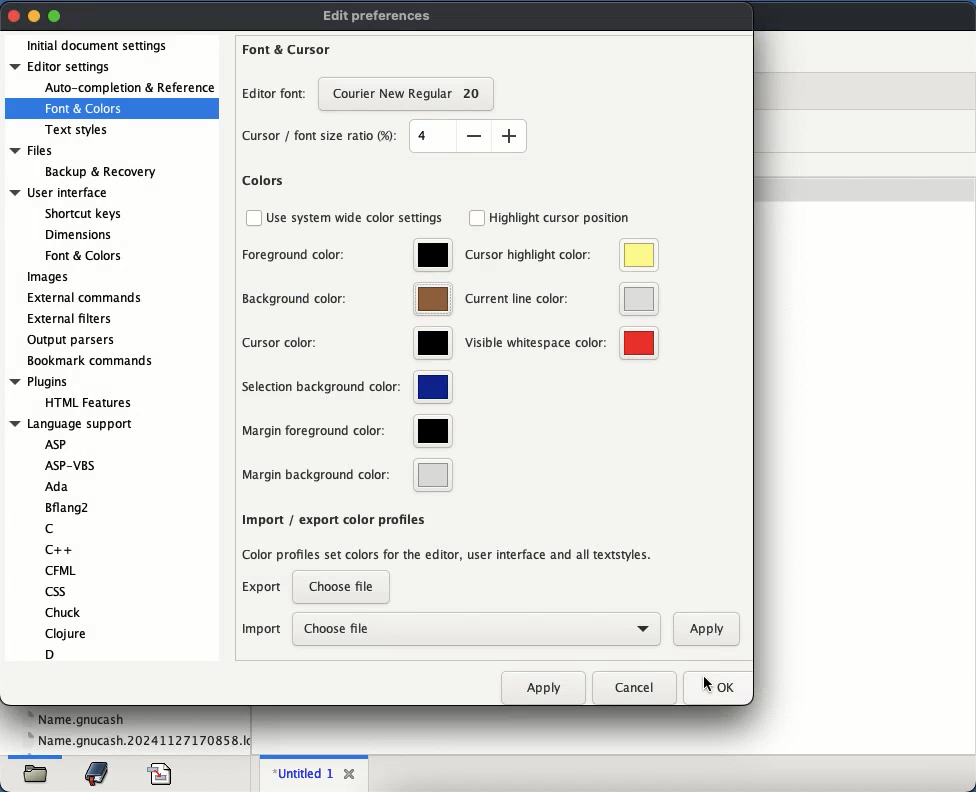  What do you see at coordinates (101, 44) in the screenshot?
I see `initial document settings` at bounding box center [101, 44].